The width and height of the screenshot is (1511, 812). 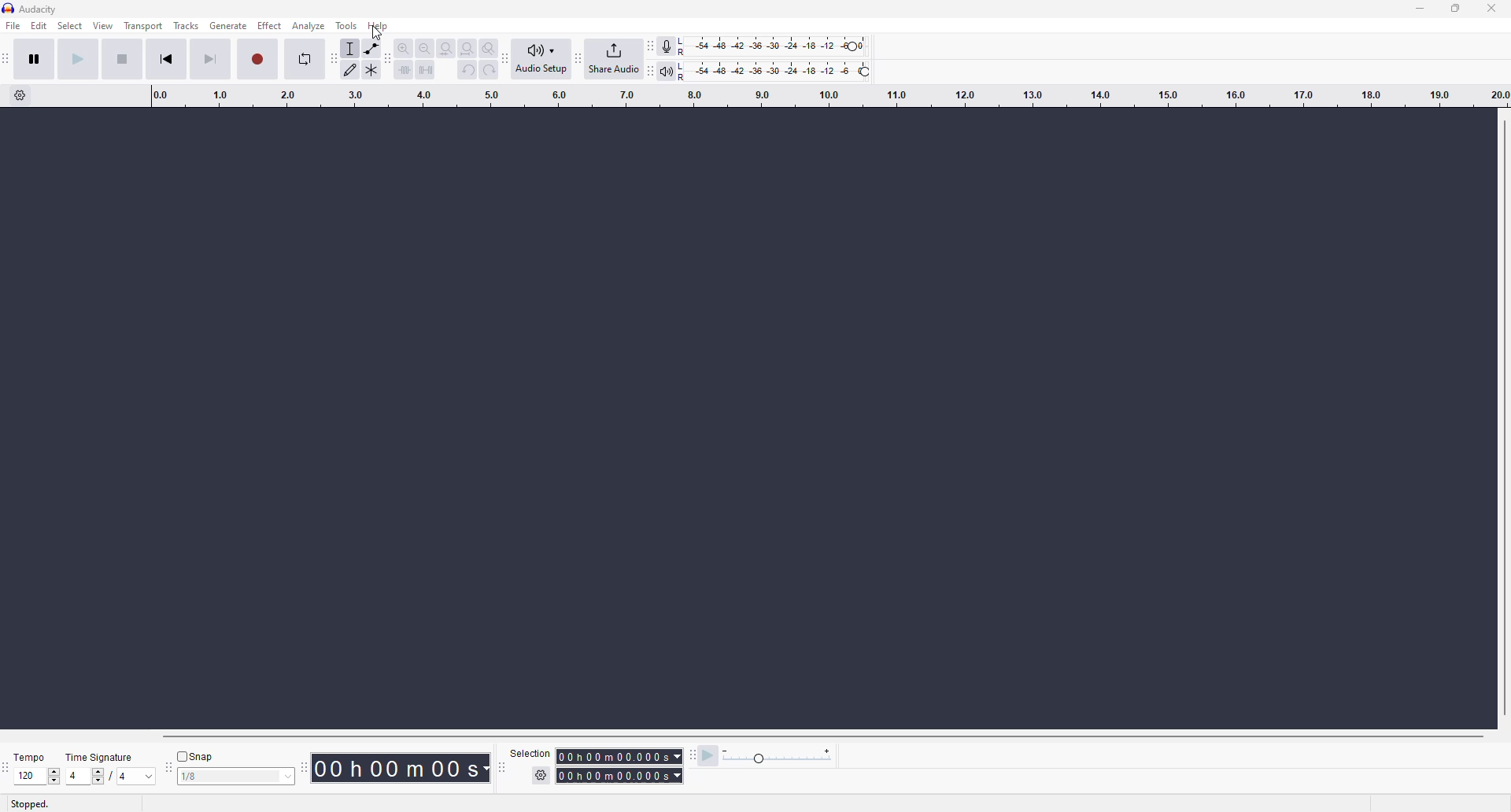 I want to click on select, so click(x=68, y=28).